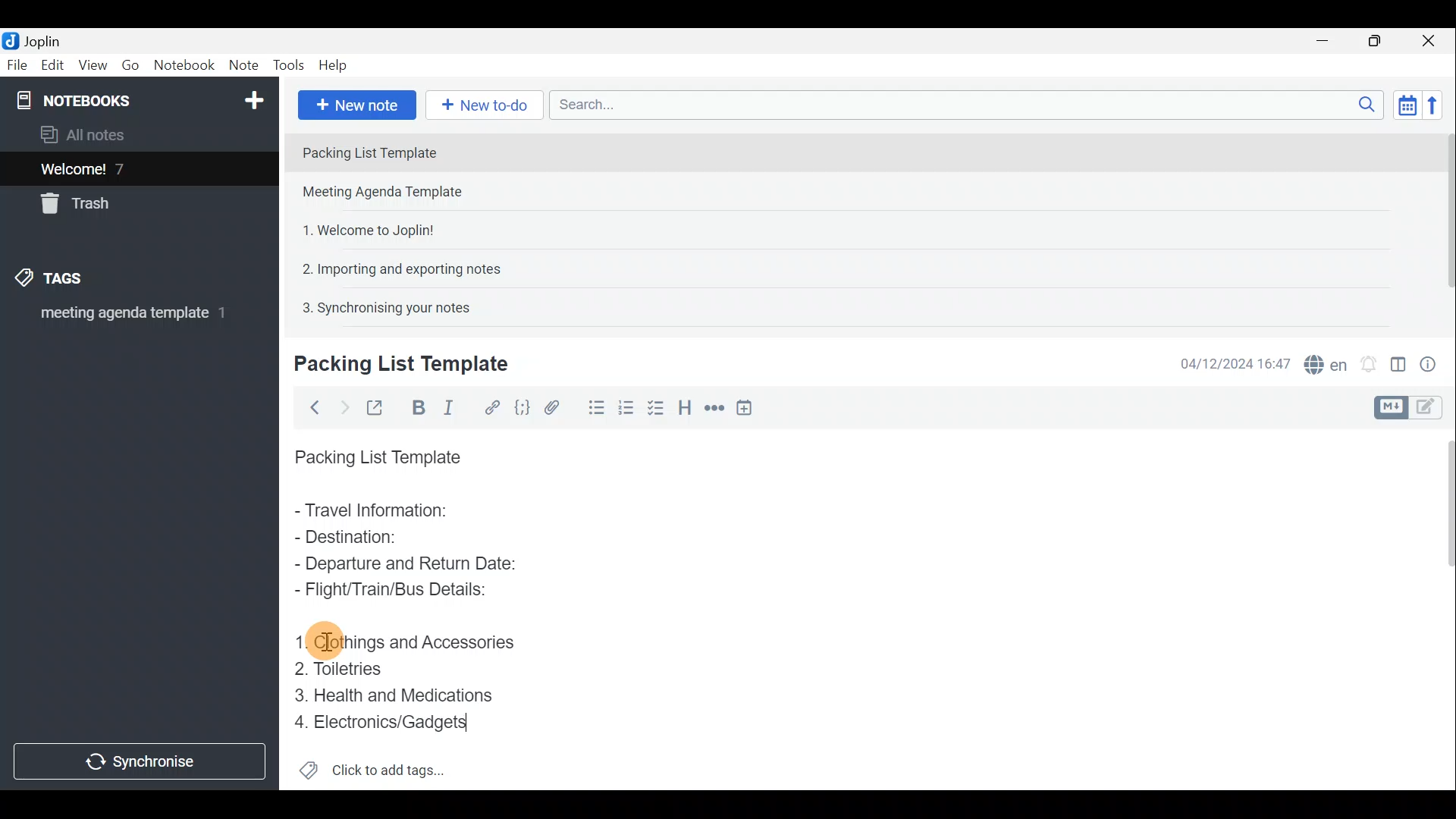 The height and width of the screenshot is (819, 1456). I want to click on Toggle external editing, so click(376, 406).